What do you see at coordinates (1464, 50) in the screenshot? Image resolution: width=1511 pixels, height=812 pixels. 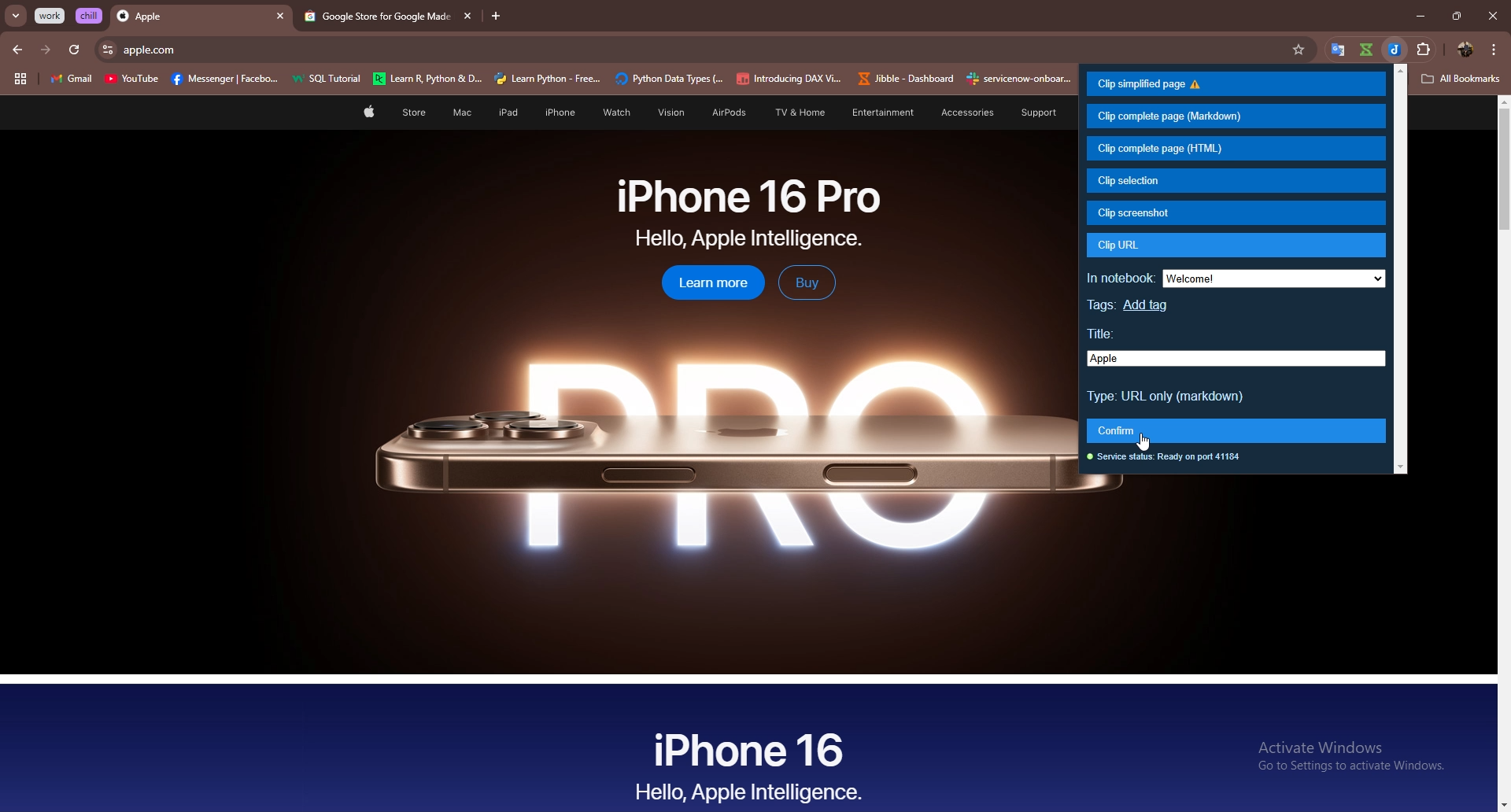 I see `profile` at bounding box center [1464, 50].